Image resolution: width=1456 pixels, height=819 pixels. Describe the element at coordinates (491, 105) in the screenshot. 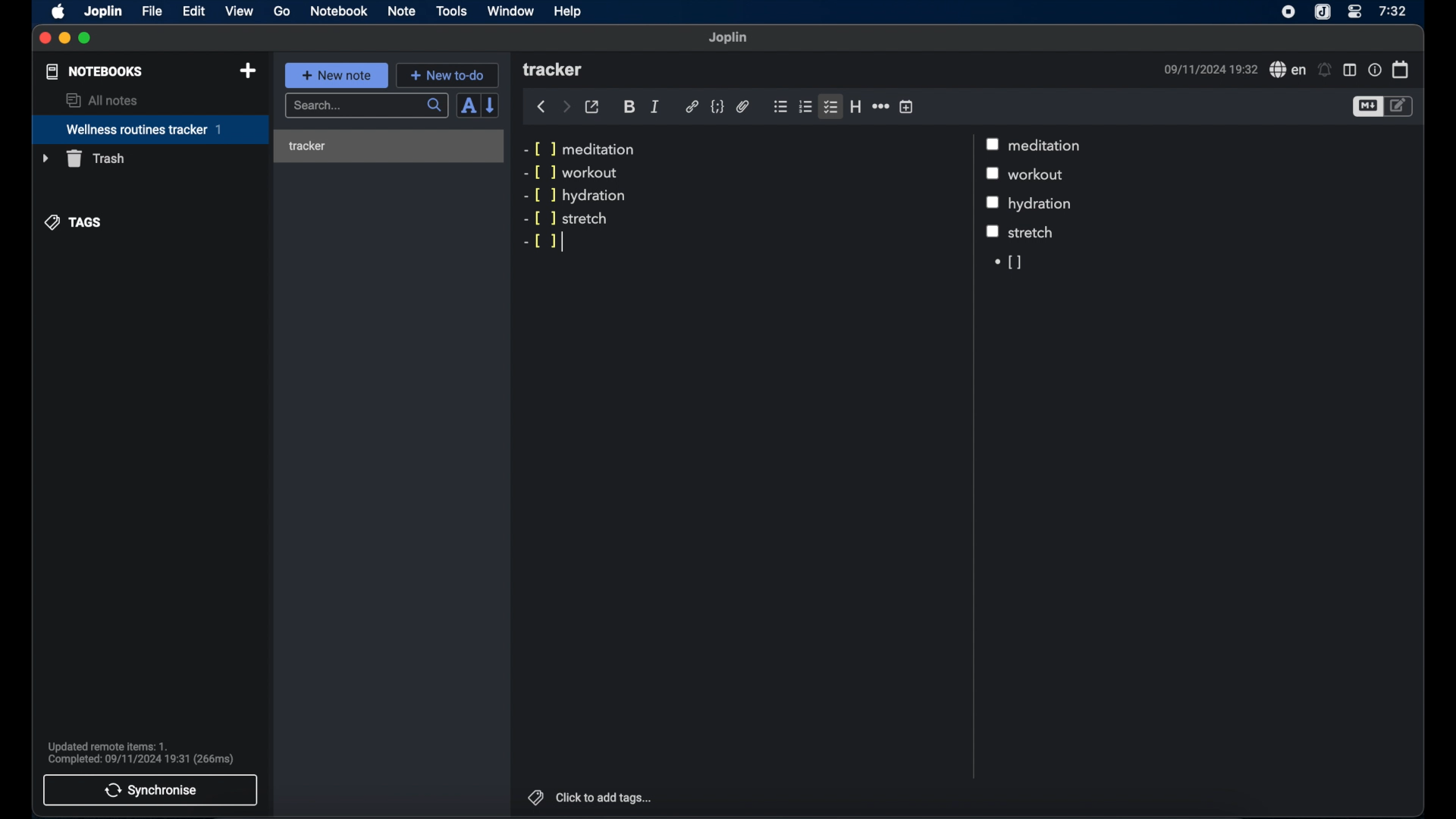

I see `reverse sort order` at that location.